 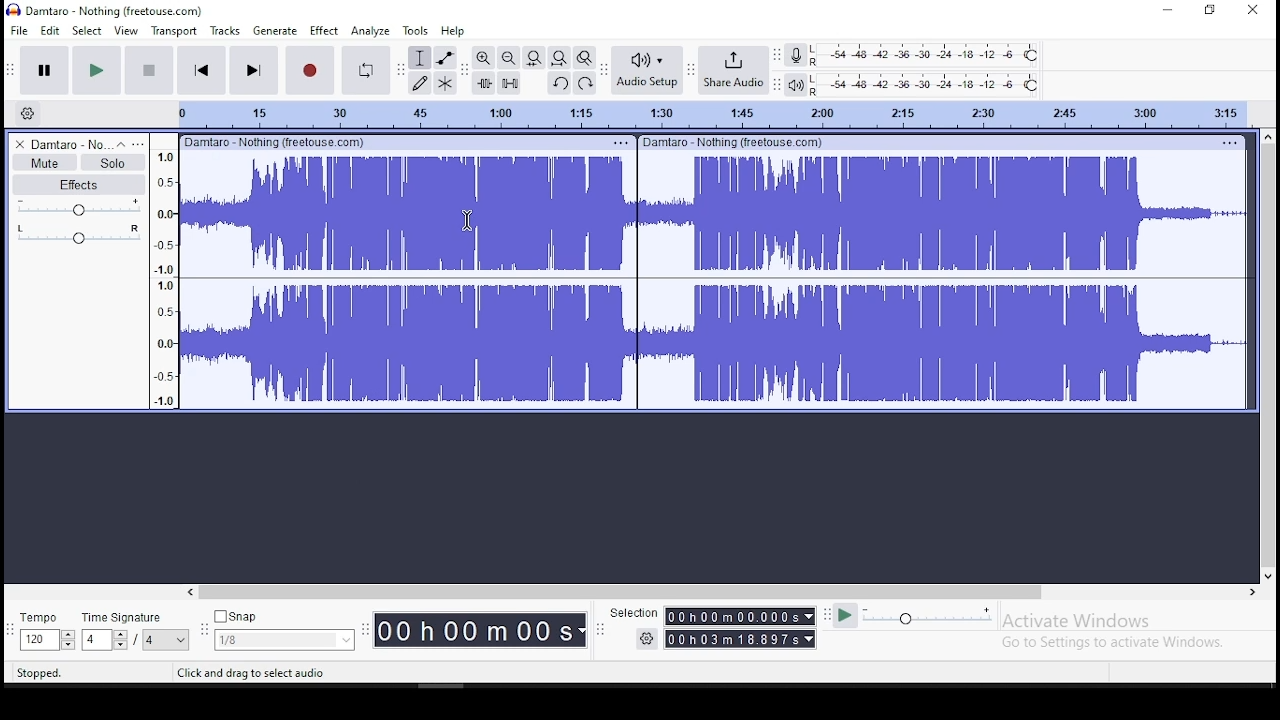 What do you see at coordinates (95, 70) in the screenshot?
I see `play` at bounding box center [95, 70].